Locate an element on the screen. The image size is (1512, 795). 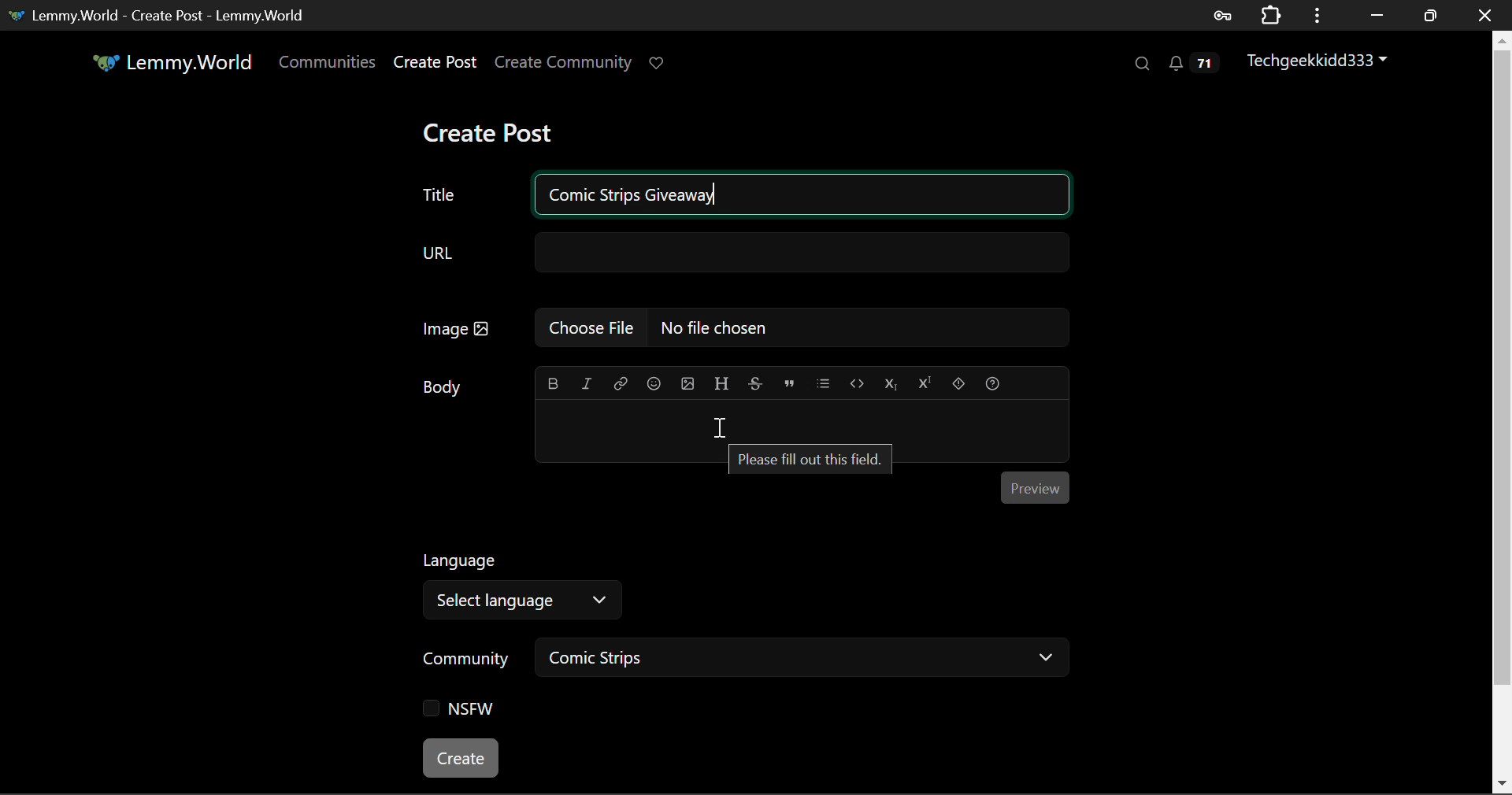
URL is located at coordinates (743, 253).